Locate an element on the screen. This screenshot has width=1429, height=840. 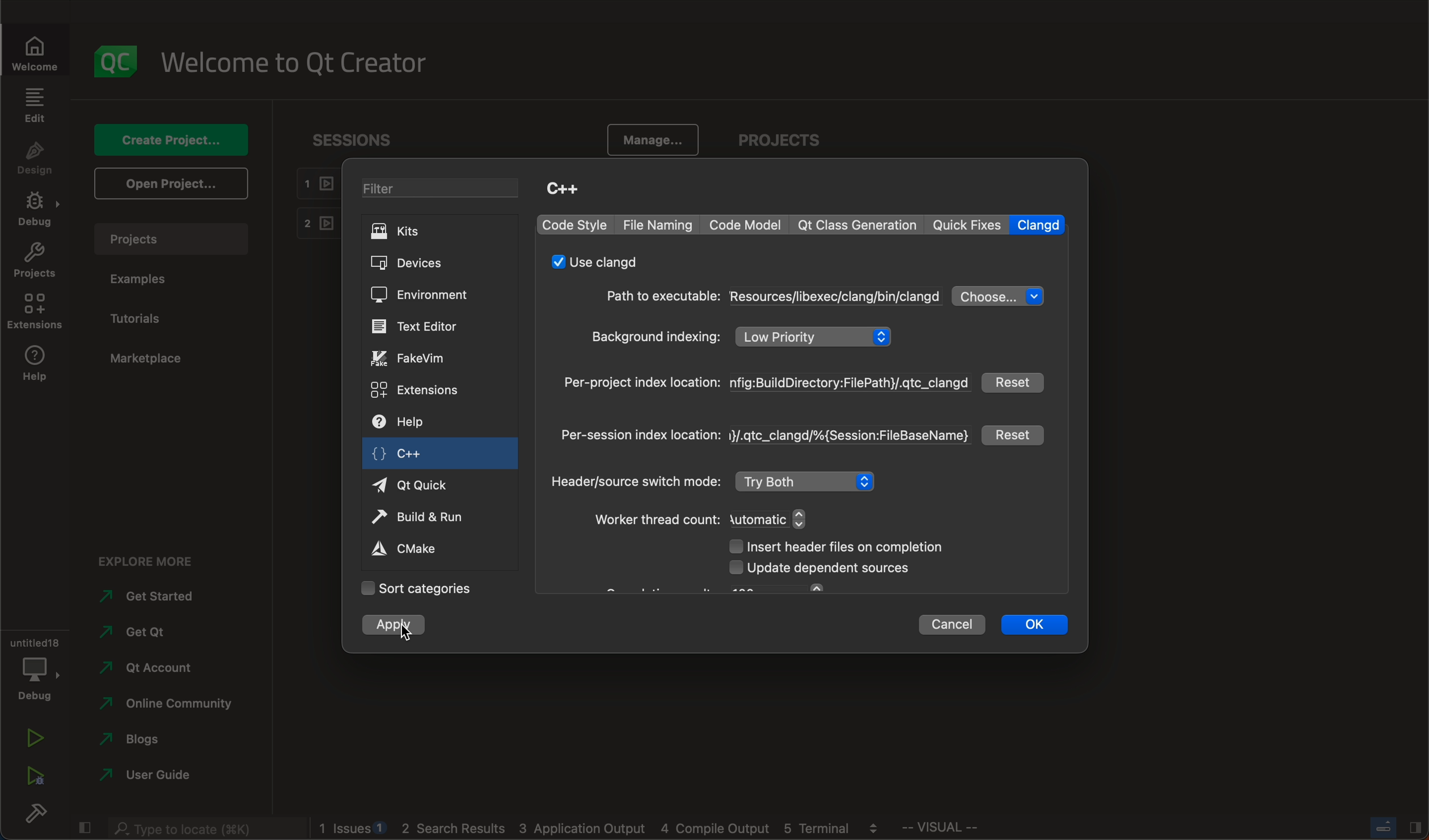
get qt is located at coordinates (145, 633).